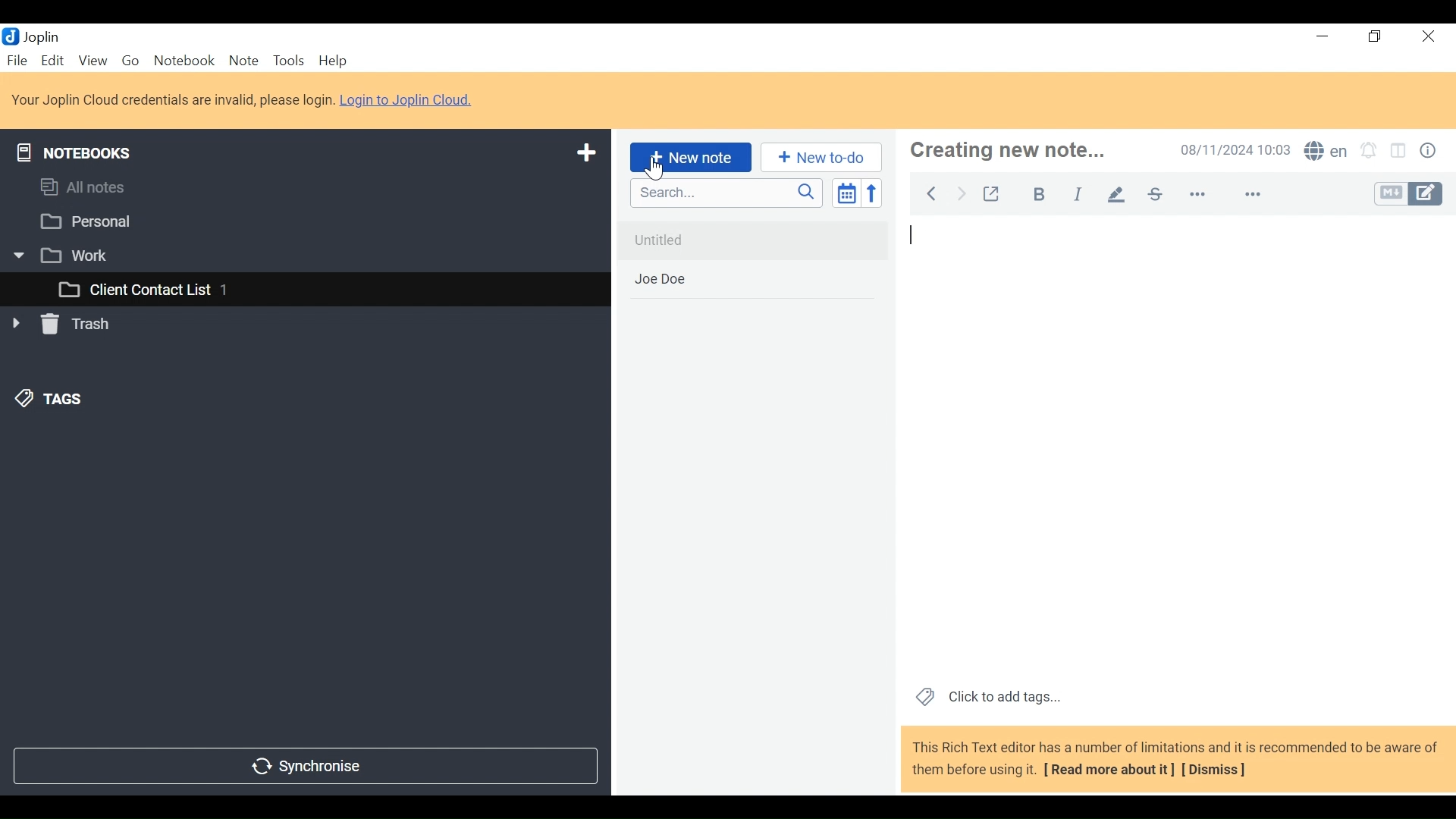  I want to click on Tags, so click(46, 401).